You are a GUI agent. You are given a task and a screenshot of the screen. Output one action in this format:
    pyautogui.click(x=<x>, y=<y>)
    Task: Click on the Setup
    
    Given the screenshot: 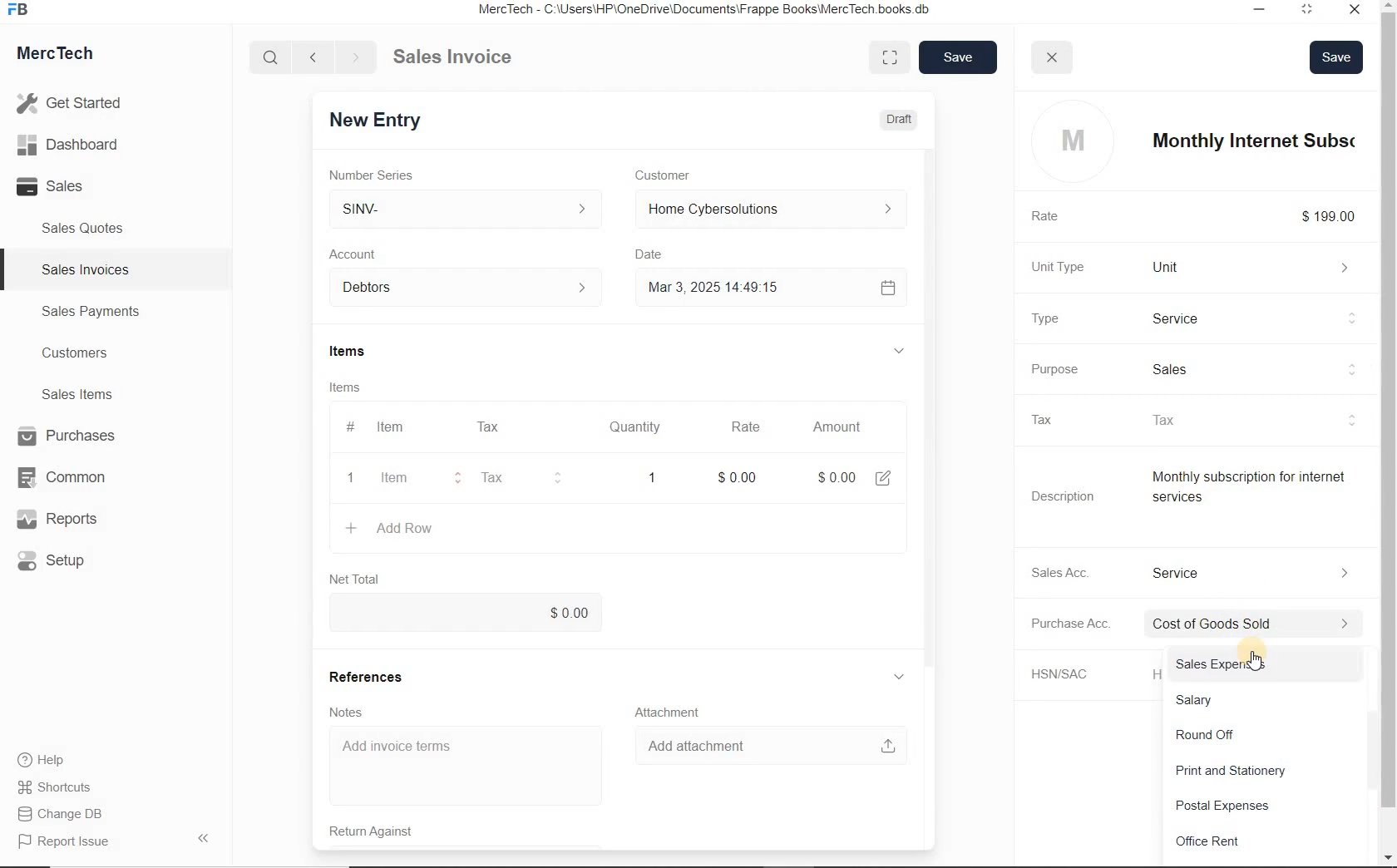 What is the action you would take?
    pyautogui.click(x=70, y=560)
    